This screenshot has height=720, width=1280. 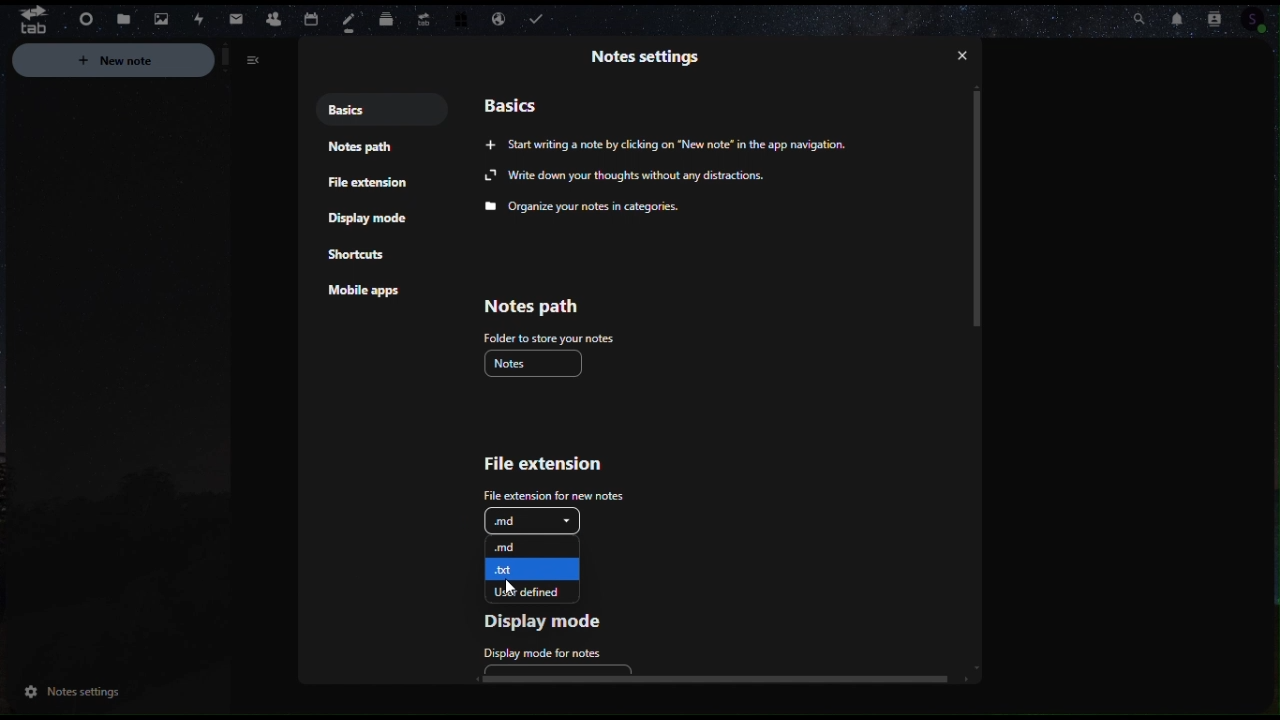 What do you see at coordinates (648, 55) in the screenshot?
I see `Note setting` at bounding box center [648, 55].